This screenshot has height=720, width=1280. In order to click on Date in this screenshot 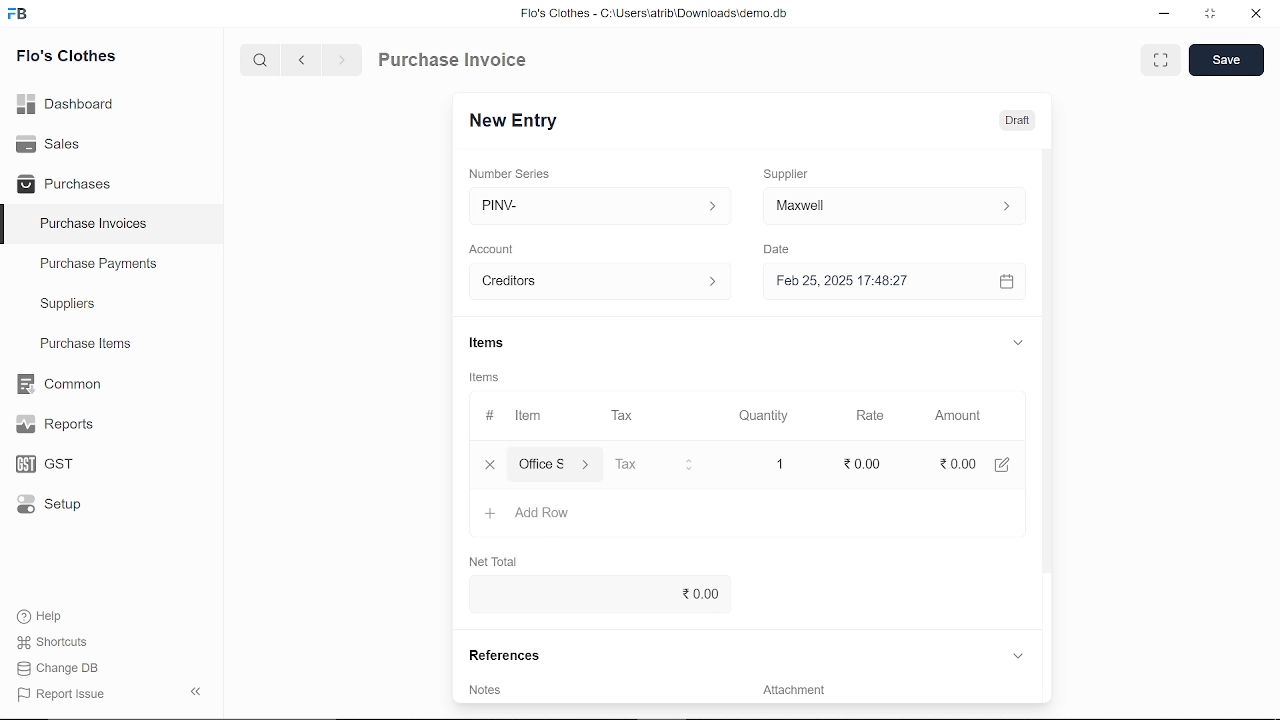, I will do `click(782, 250)`.